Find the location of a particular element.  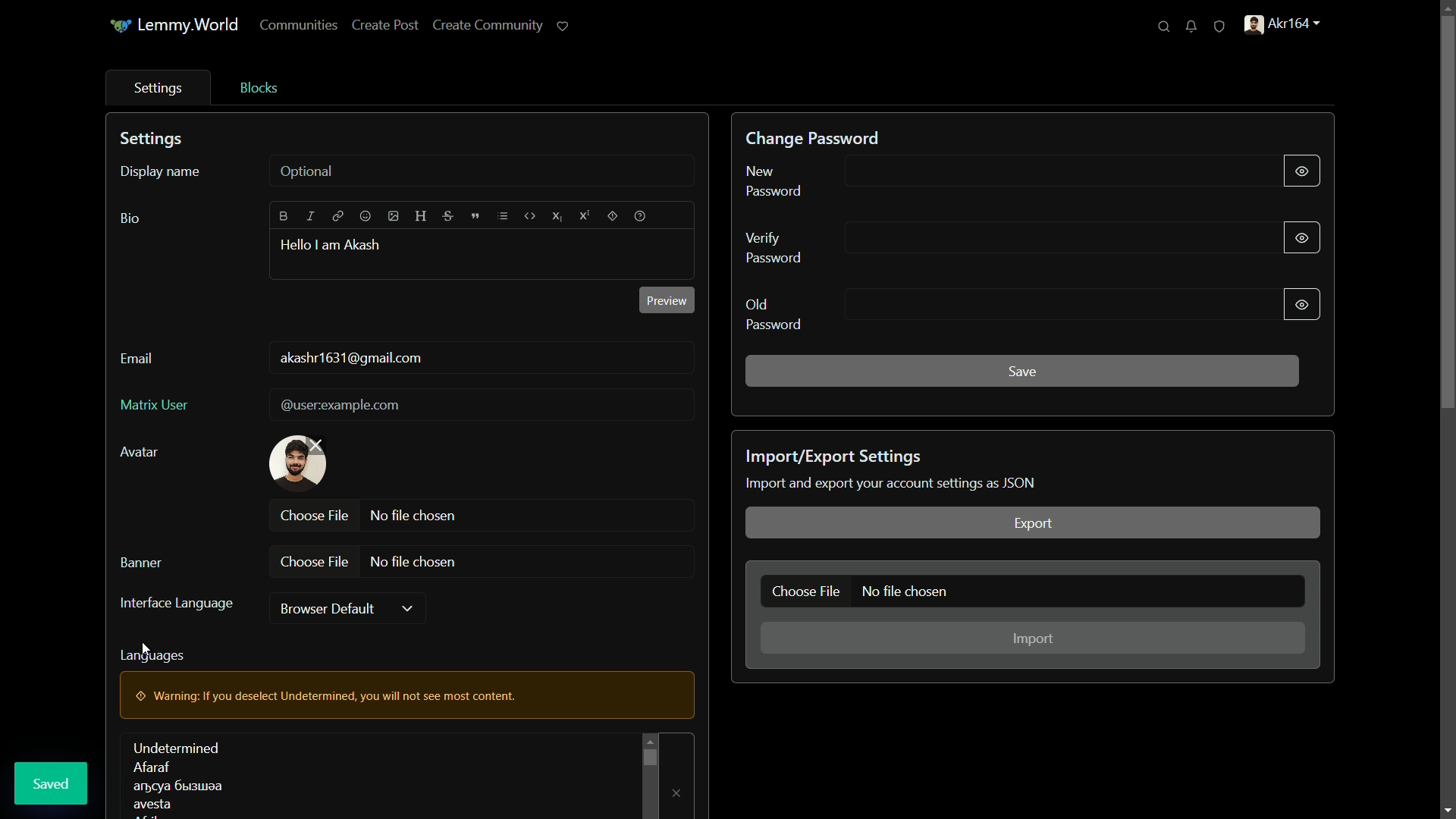

italic is located at coordinates (310, 216).